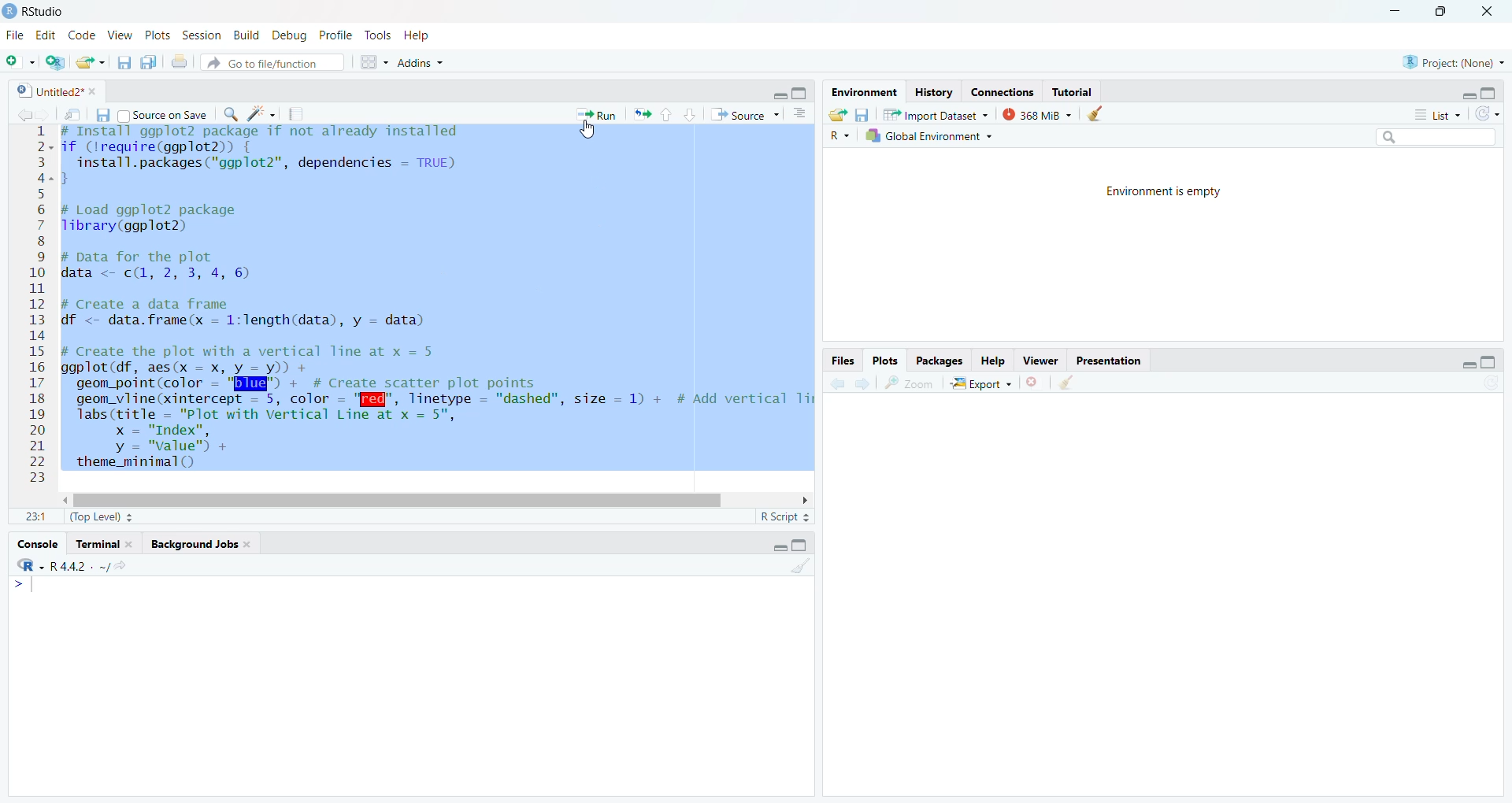 The height and width of the screenshot is (803, 1512). Describe the element at coordinates (869, 384) in the screenshot. I see `next` at that location.